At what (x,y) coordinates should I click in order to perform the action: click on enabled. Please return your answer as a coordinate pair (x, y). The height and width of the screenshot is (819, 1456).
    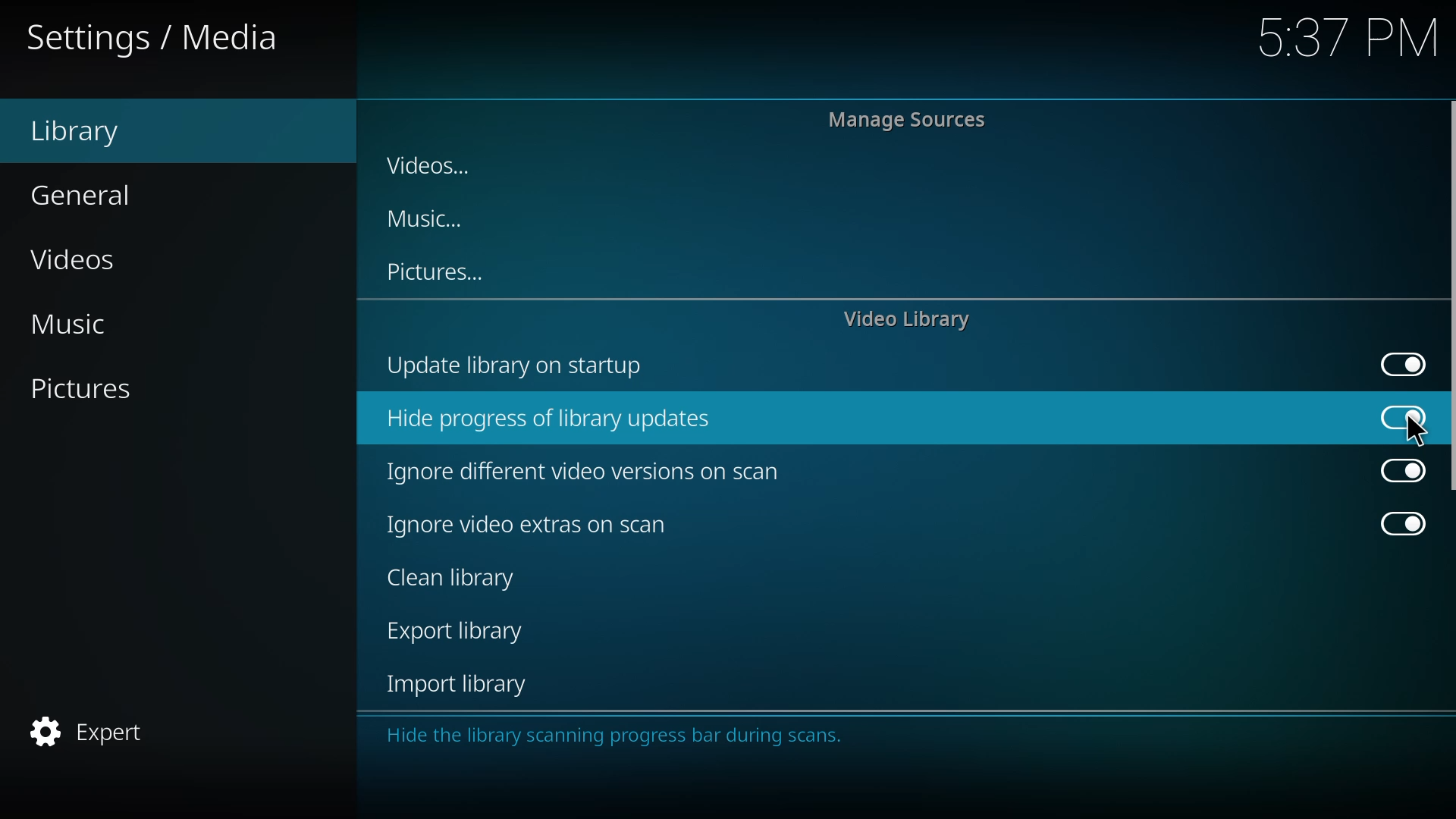
    Looking at the image, I should click on (1395, 362).